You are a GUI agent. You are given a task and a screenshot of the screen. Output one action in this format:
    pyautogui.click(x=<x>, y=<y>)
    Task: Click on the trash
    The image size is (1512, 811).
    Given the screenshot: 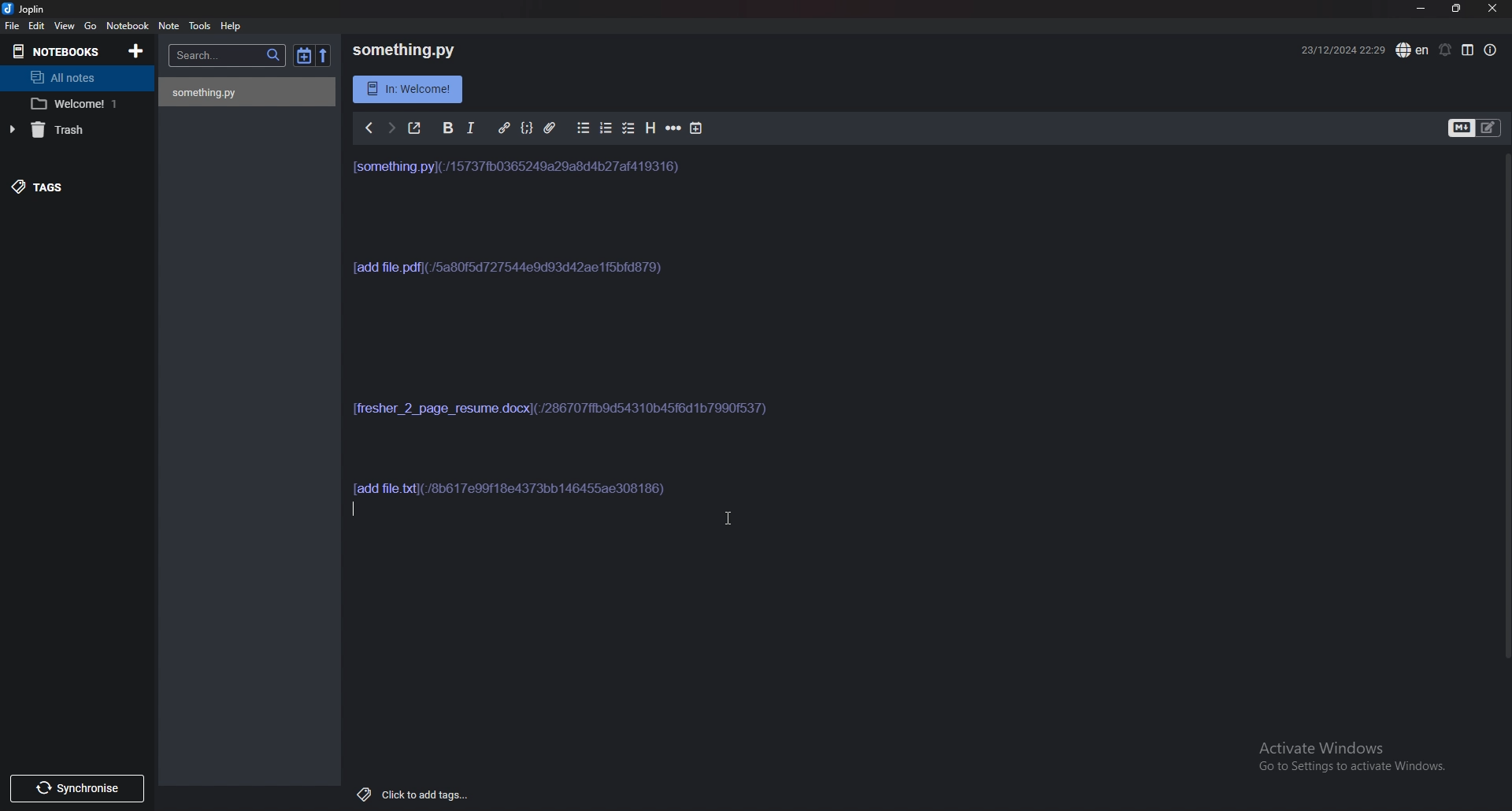 What is the action you would take?
    pyautogui.click(x=67, y=130)
    